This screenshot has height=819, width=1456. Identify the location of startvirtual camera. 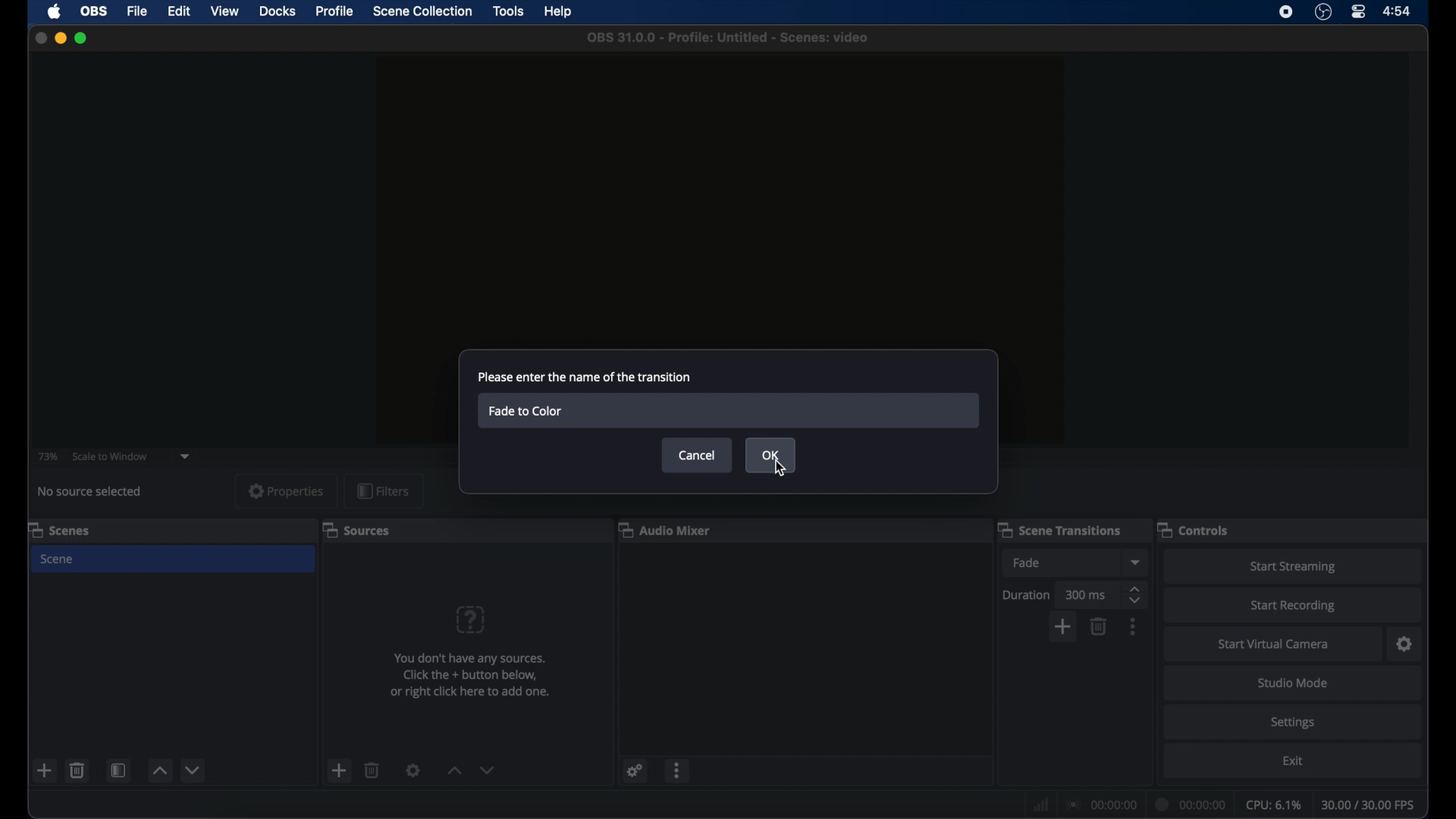
(1273, 645).